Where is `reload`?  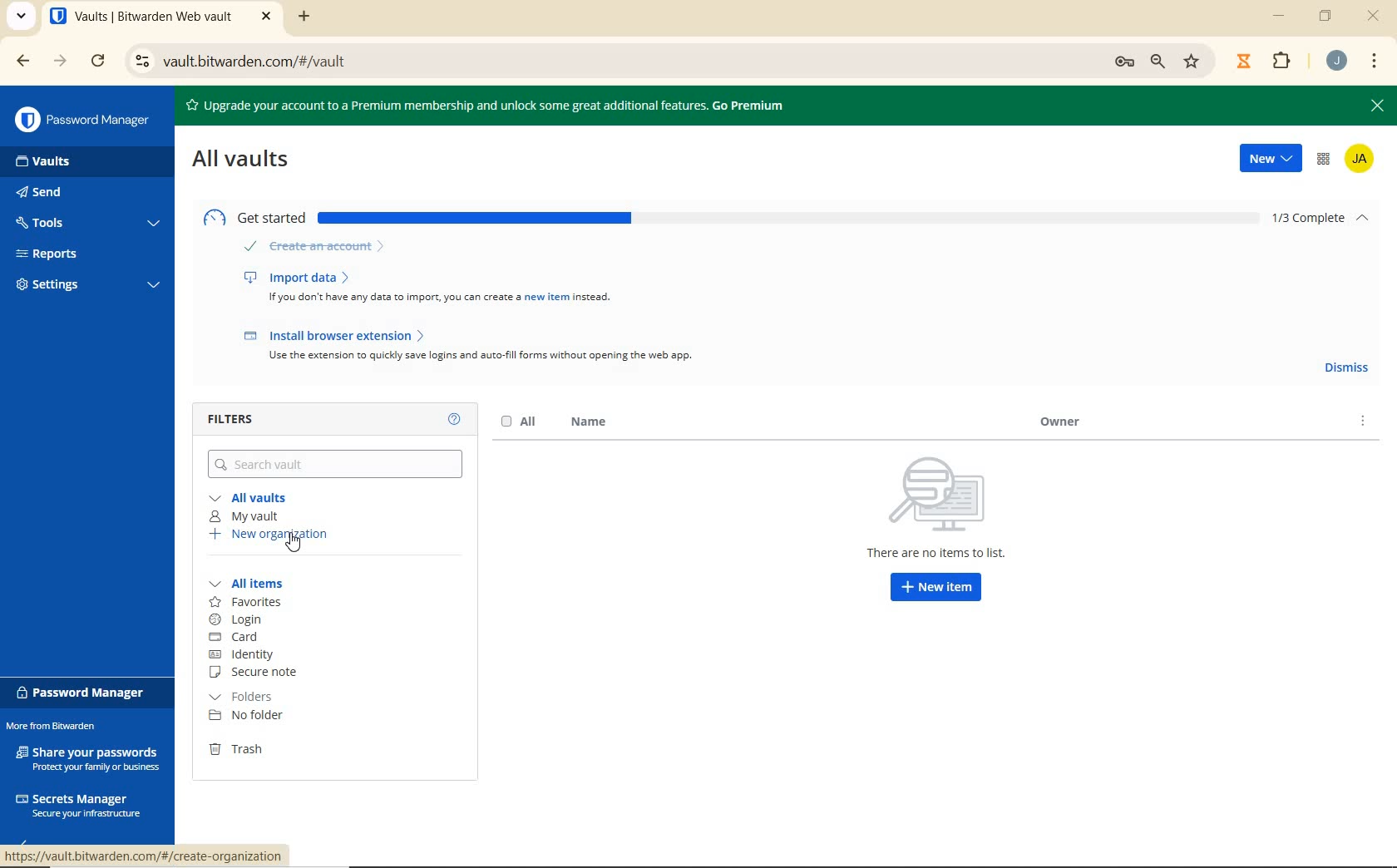 reload is located at coordinates (100, 62).